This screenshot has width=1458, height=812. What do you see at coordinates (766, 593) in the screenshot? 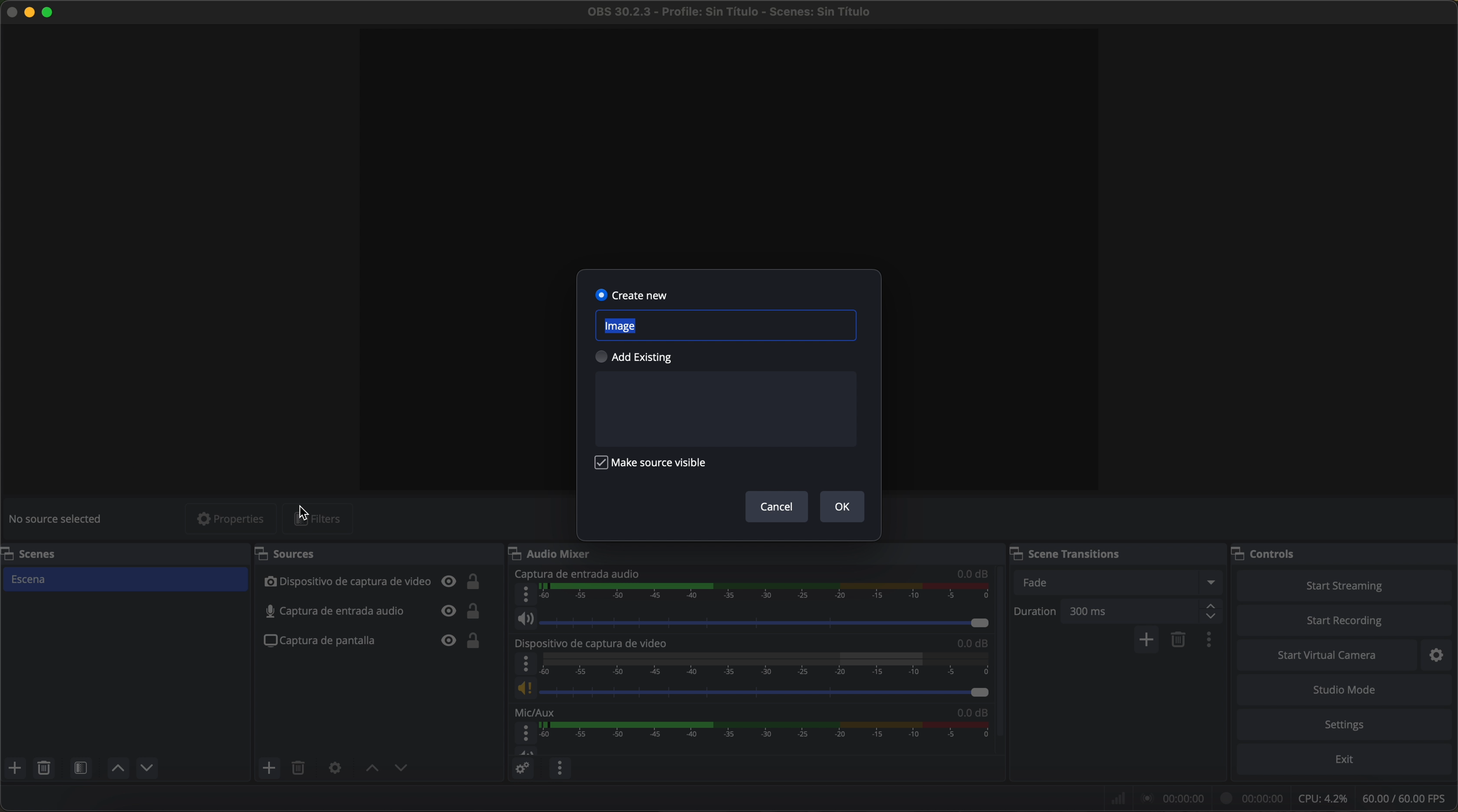
I see `timeline` at bounding box center [766, 593].